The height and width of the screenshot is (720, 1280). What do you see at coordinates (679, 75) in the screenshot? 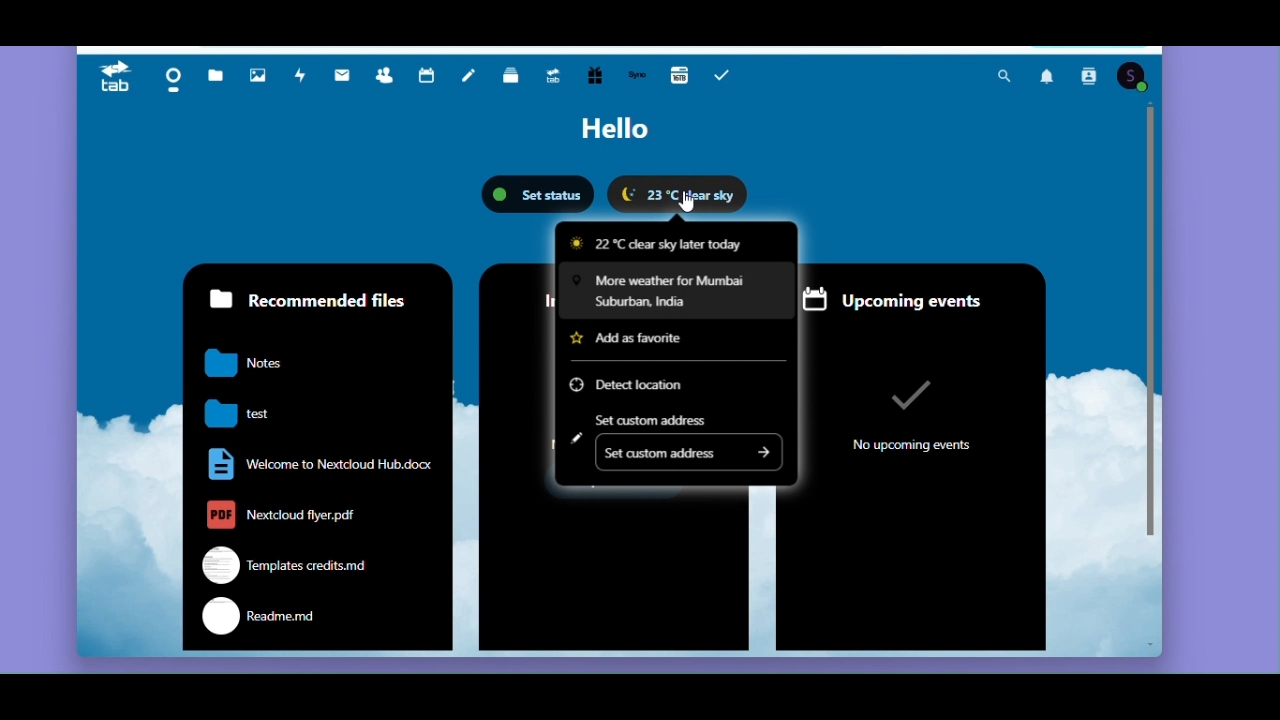
I see `16 TB` at bounding box center [679, 75].